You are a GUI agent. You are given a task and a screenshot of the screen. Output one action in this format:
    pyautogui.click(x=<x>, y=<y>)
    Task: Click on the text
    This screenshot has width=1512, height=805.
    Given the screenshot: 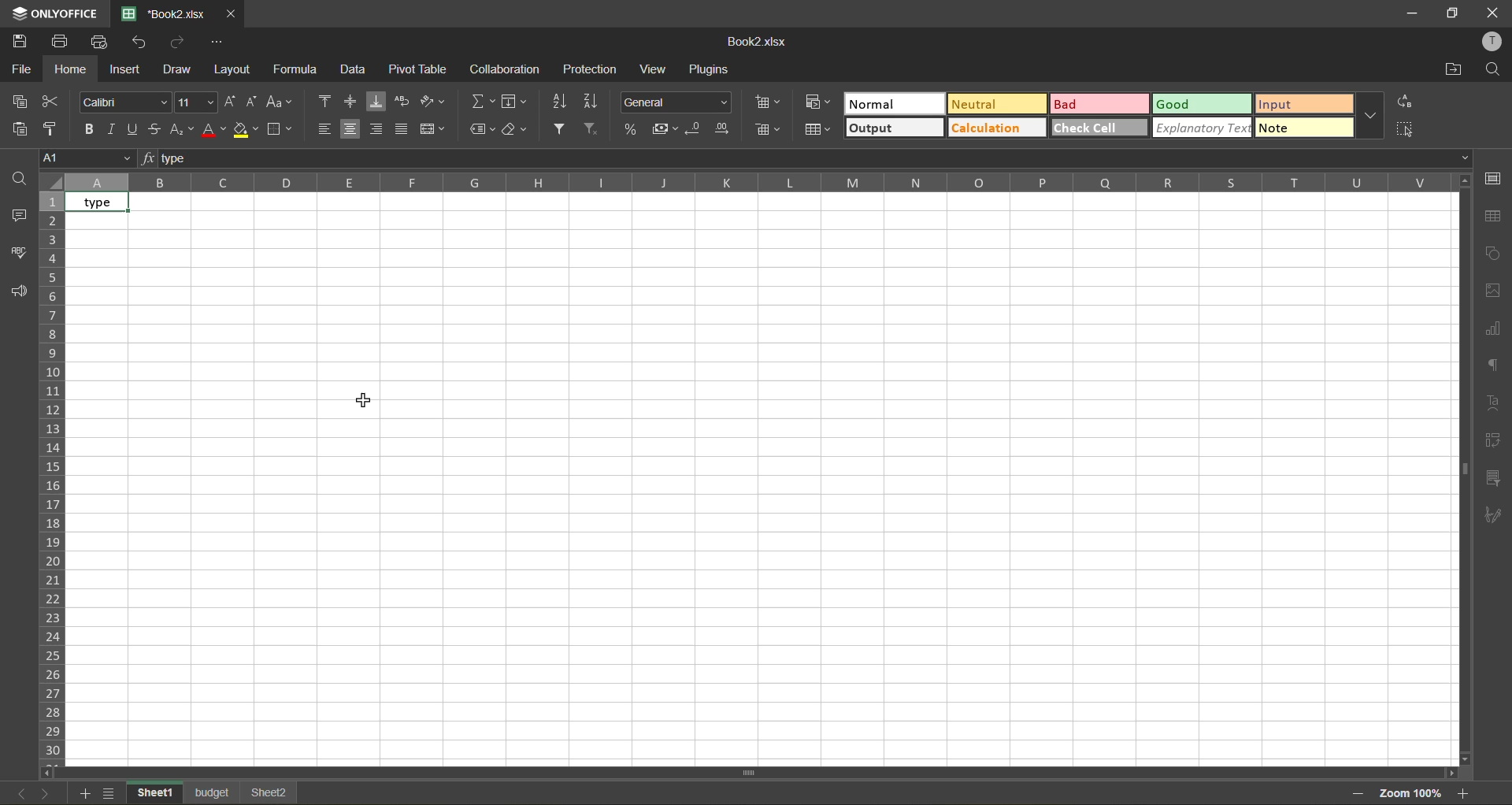 What is the action you would take?
    pyautogui.click(x=1494, y=406)
    